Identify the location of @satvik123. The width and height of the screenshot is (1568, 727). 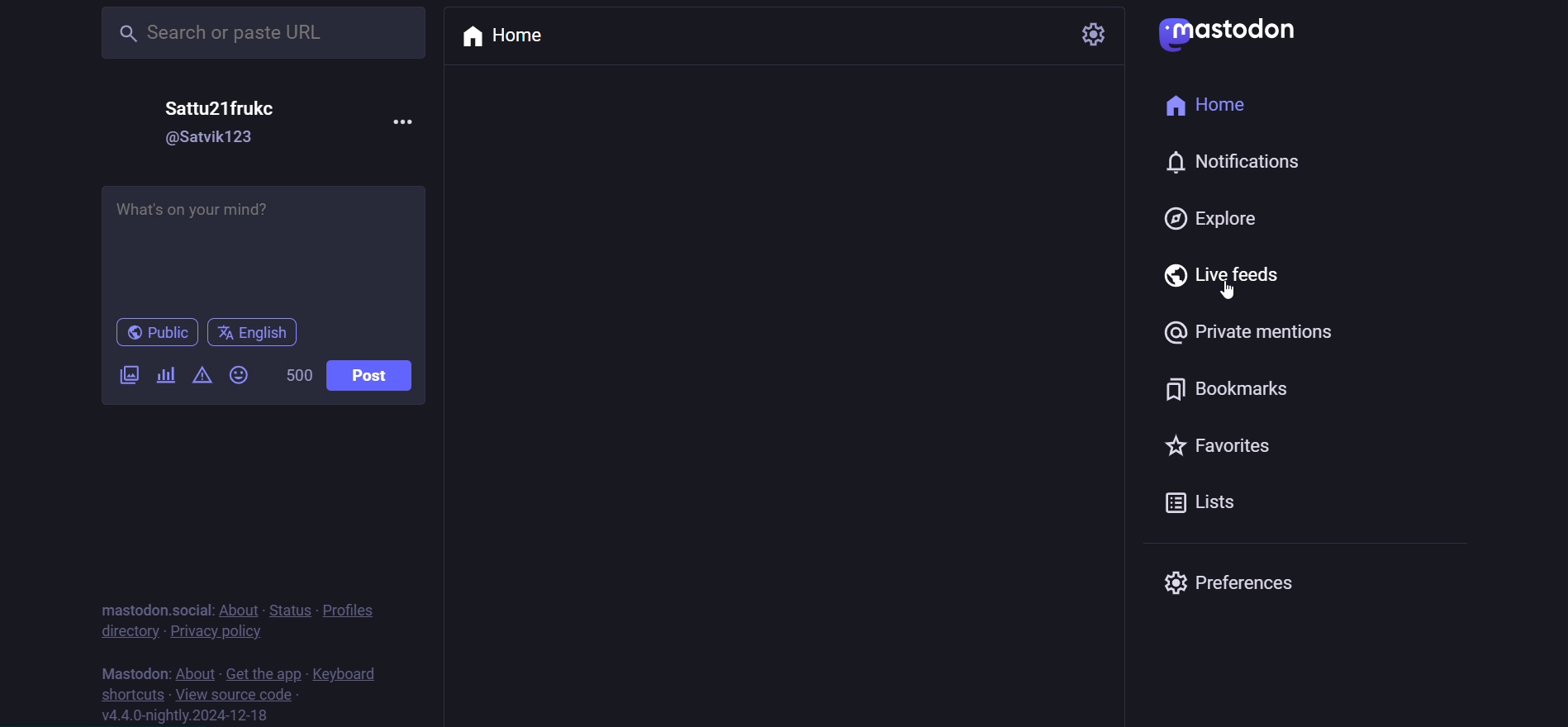
(212, 137).